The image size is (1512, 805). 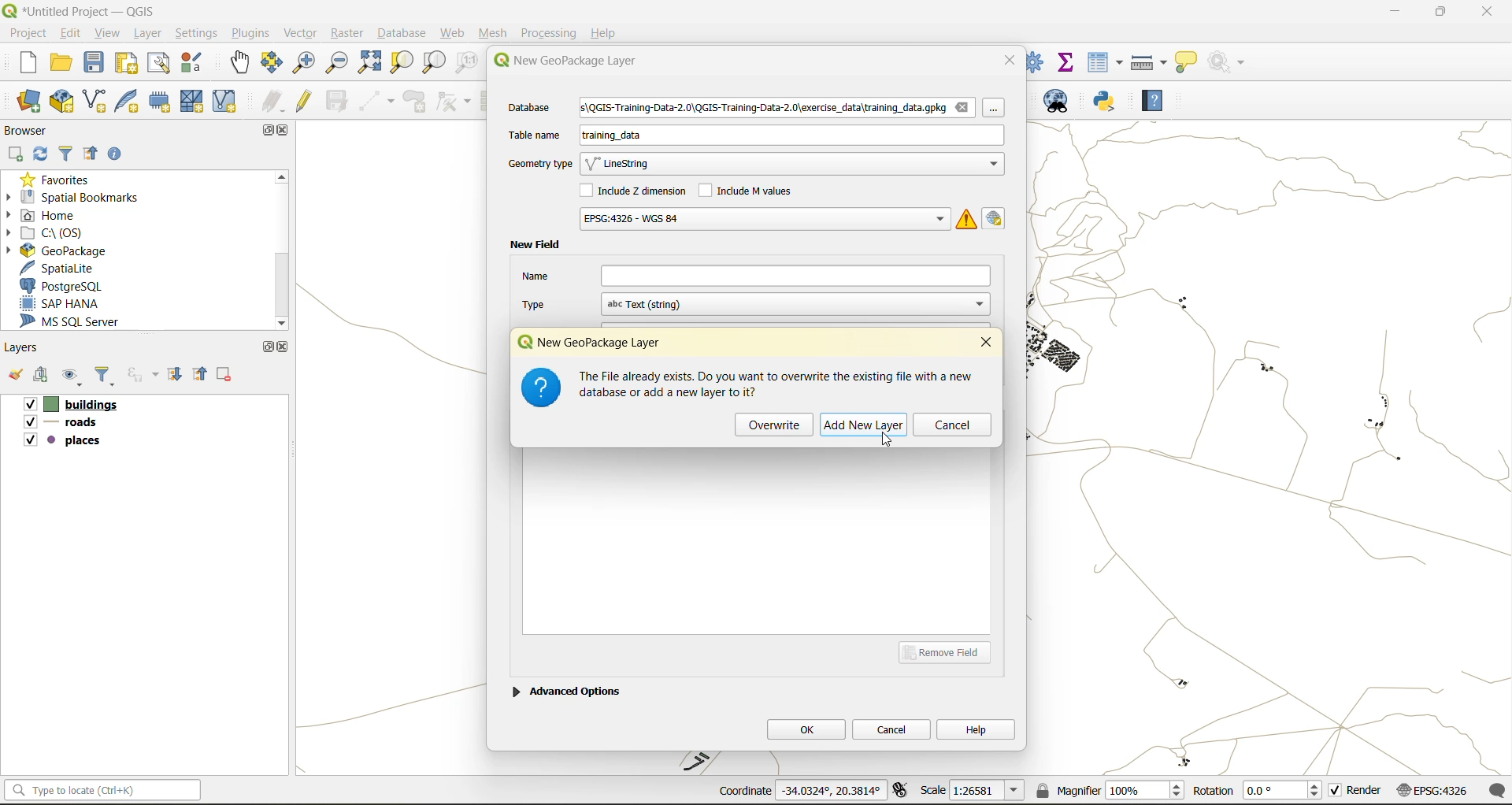 I want to click on remove field, so click(x=950, y=651).